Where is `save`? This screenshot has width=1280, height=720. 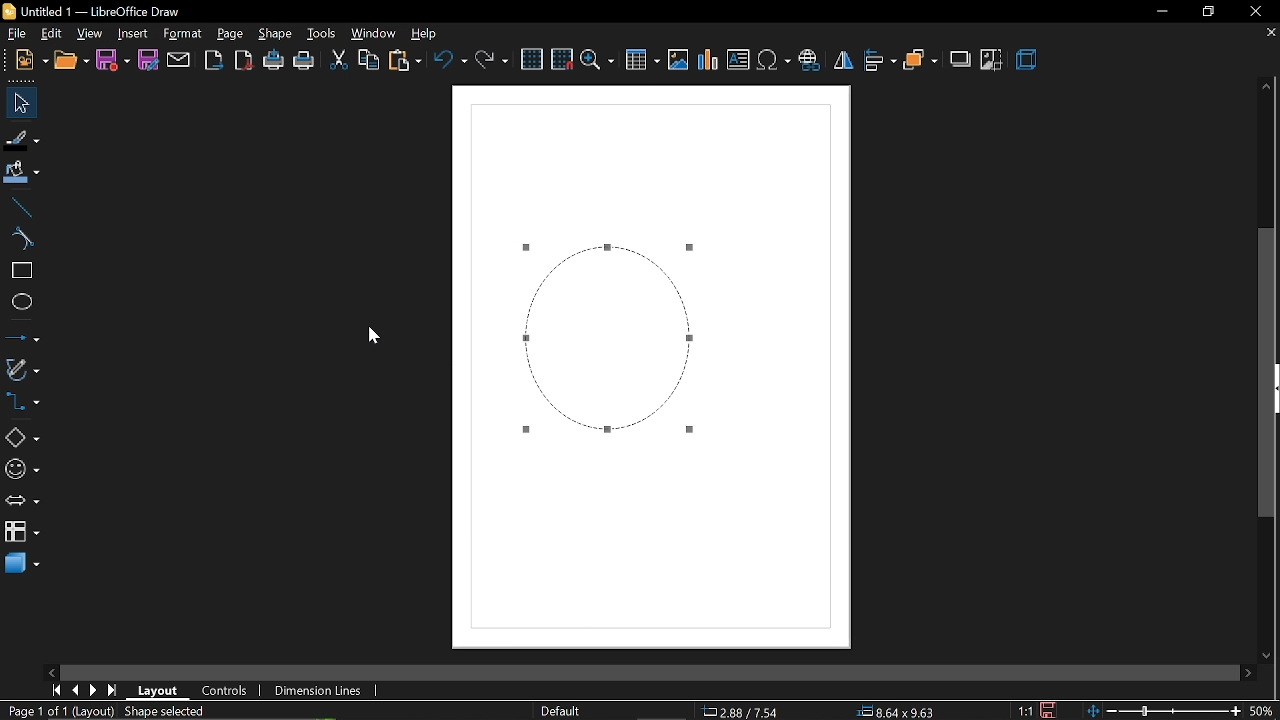 save is located at coordinates (1052, 709).